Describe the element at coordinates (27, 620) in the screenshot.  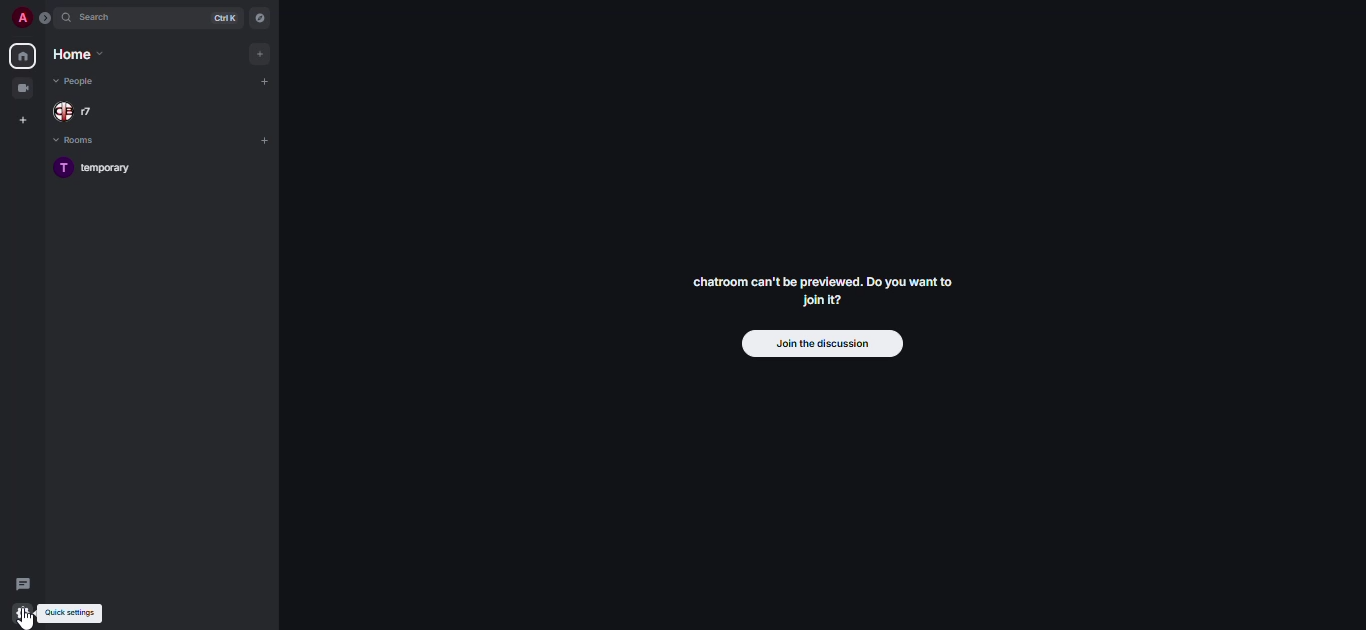
I see `cursor` at that location.